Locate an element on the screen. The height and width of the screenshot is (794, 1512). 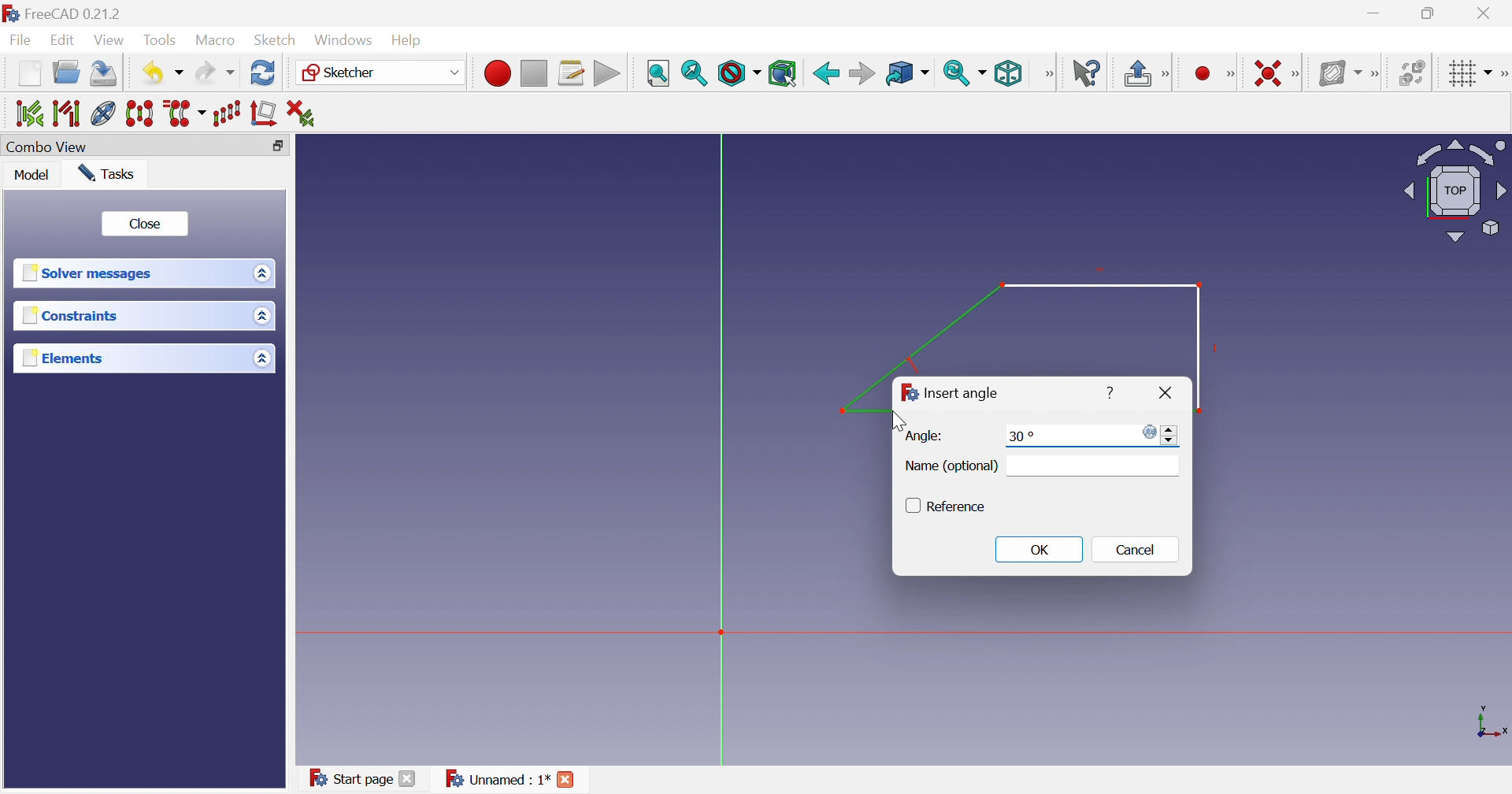
Close is located at coordinates (1487, 13).